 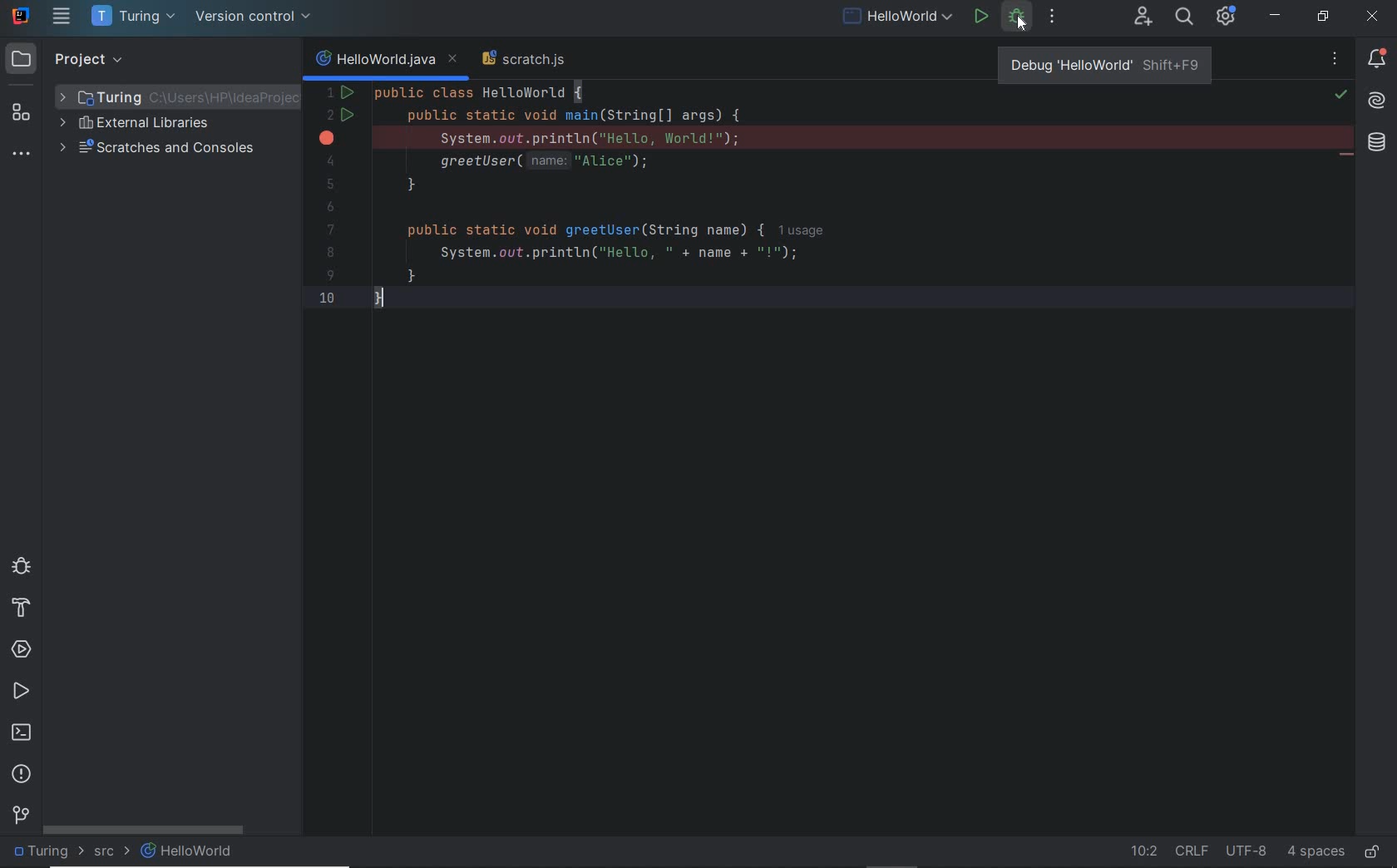 I want to click on IDE and Project settings, so click(x=1226, y=17).